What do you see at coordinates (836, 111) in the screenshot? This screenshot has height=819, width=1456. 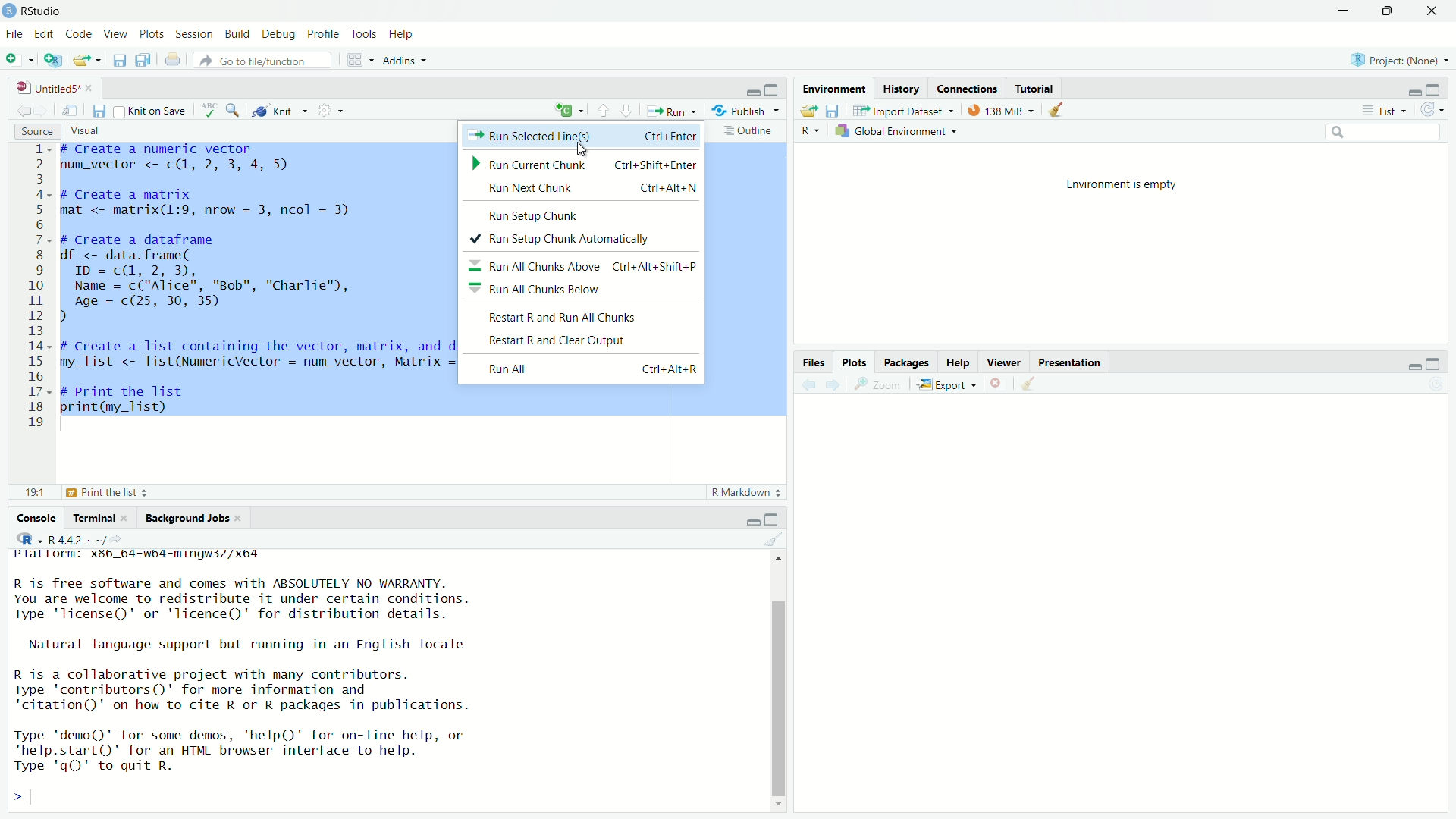 I see `files` at bounding box center [836, 111].